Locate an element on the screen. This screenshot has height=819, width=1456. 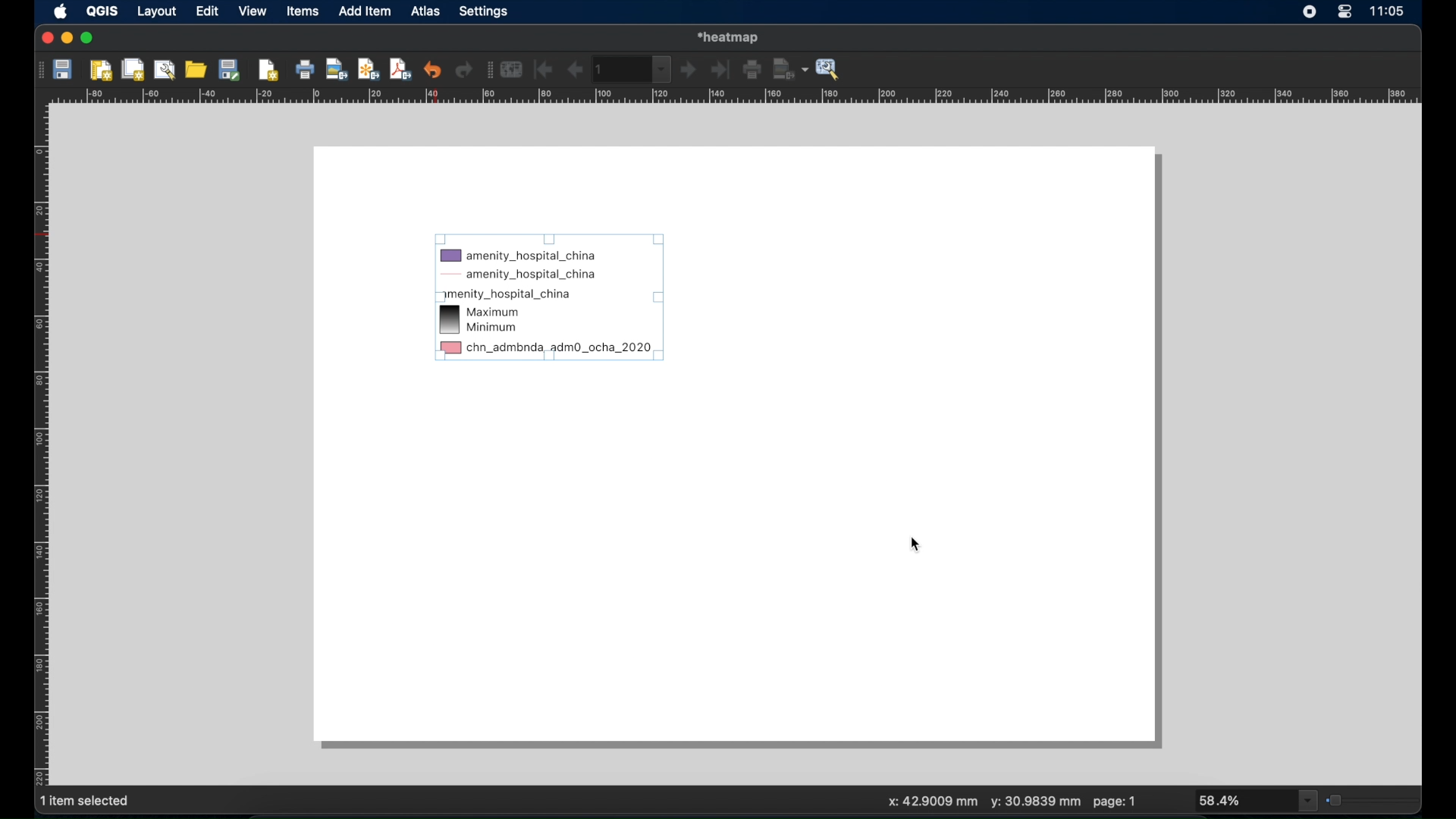
control center is located at coordinates (1345, 13).